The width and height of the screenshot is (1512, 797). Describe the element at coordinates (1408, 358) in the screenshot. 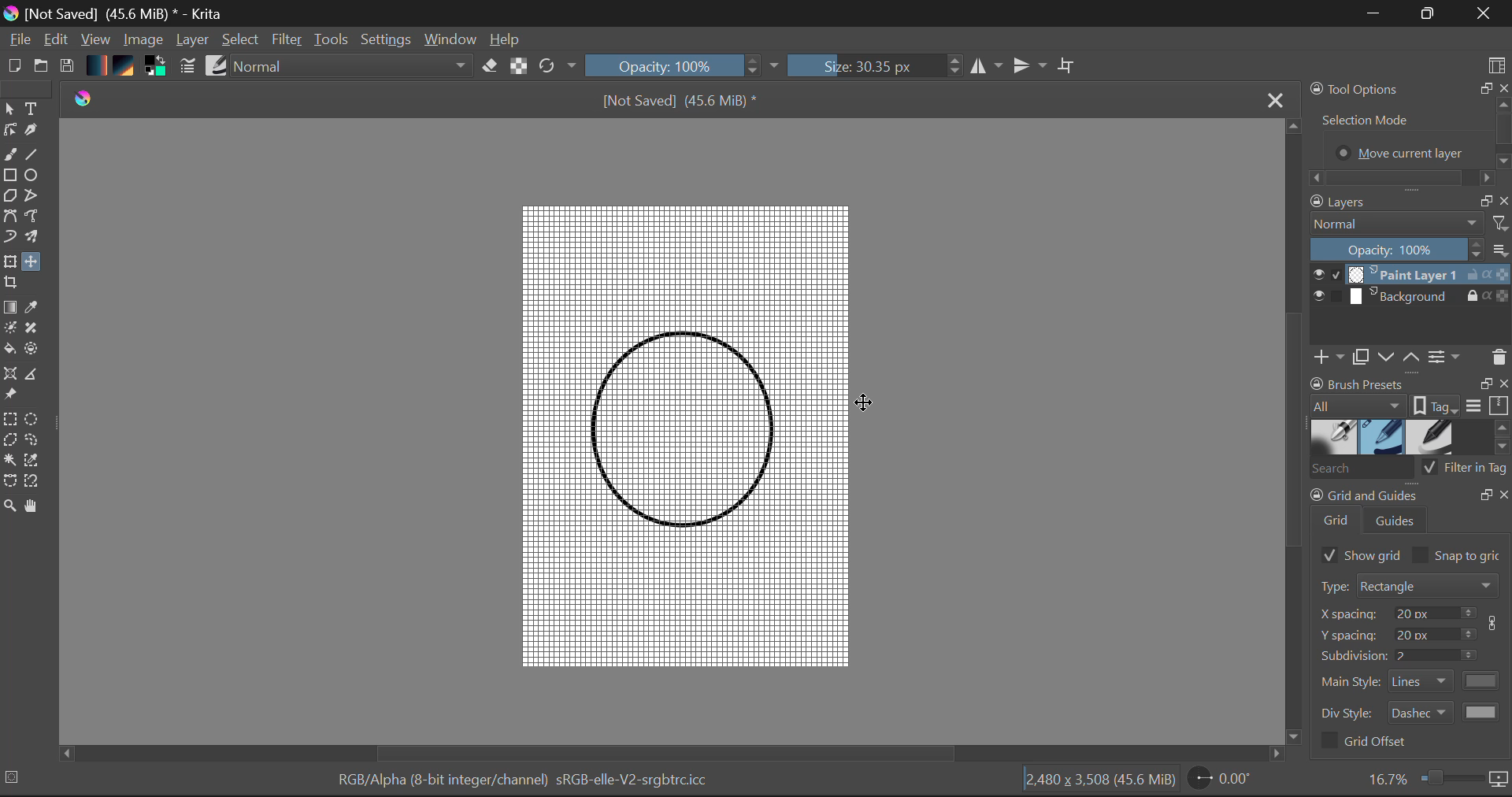

I see `Layers Quickbuttons` at that location.